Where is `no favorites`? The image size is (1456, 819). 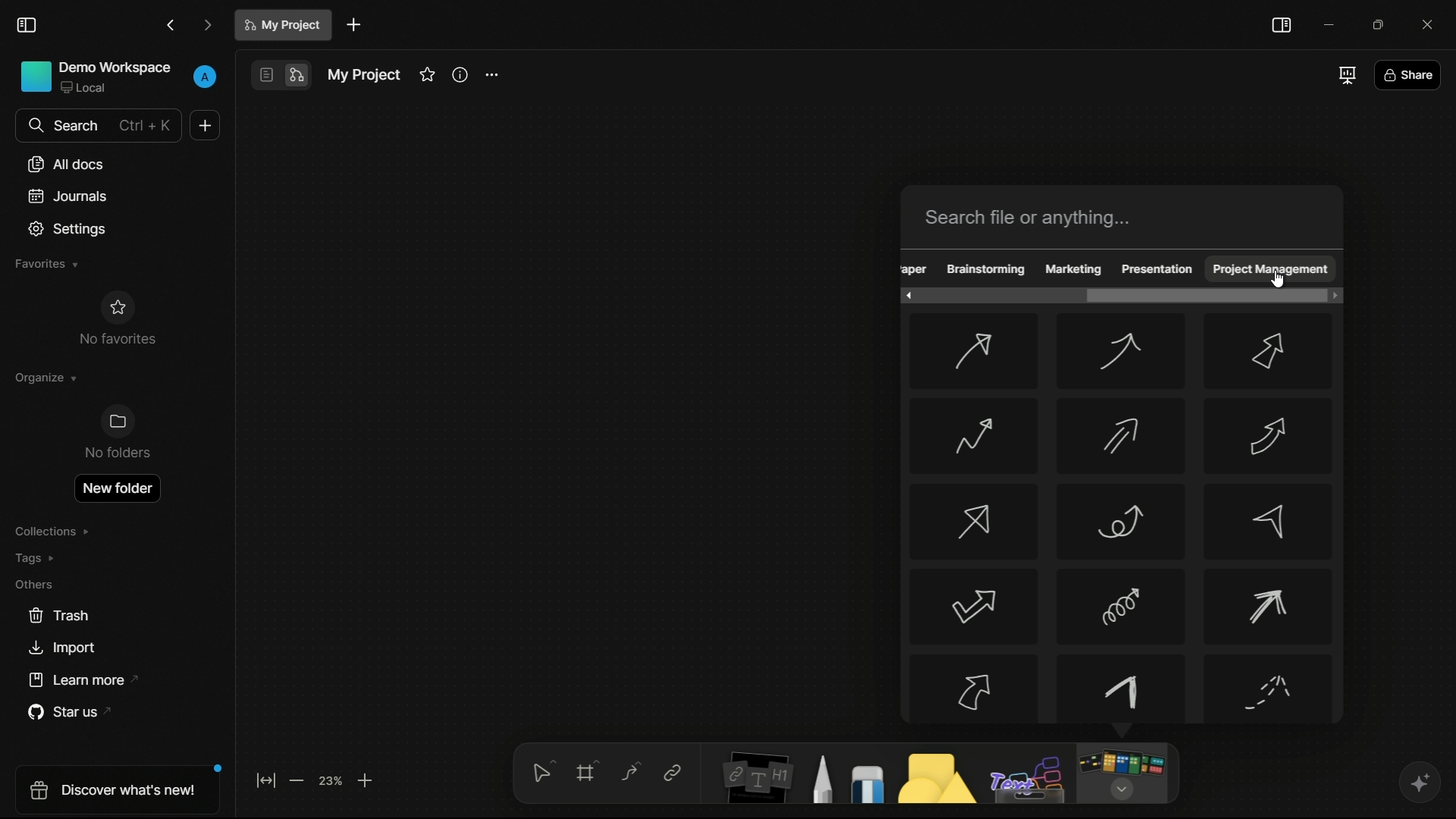 no favorites is located at coordinates (116, 318).